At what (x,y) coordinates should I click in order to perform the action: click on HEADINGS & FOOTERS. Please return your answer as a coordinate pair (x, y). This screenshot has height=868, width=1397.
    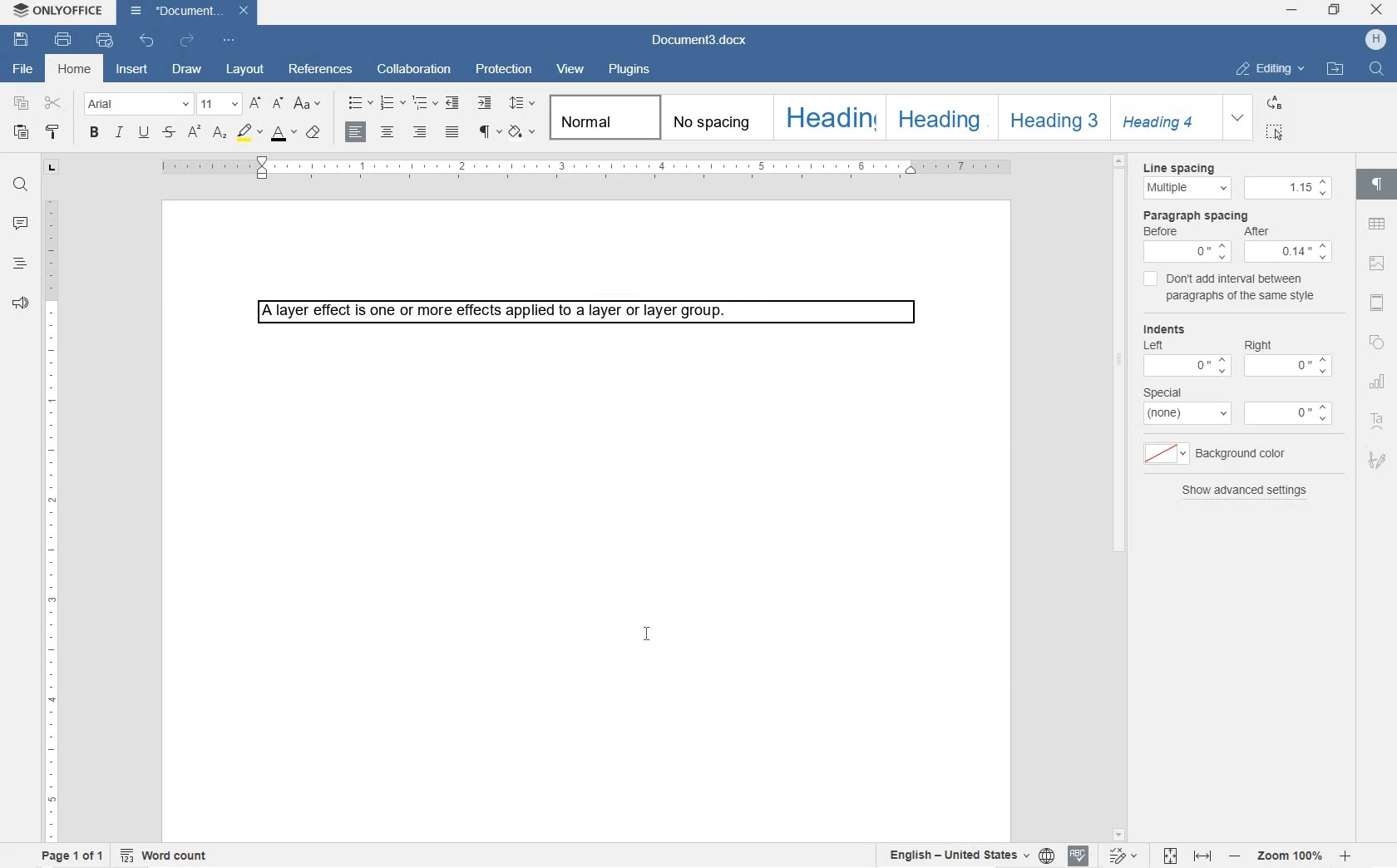
    Looking at the image, I should click on (1376, 302).